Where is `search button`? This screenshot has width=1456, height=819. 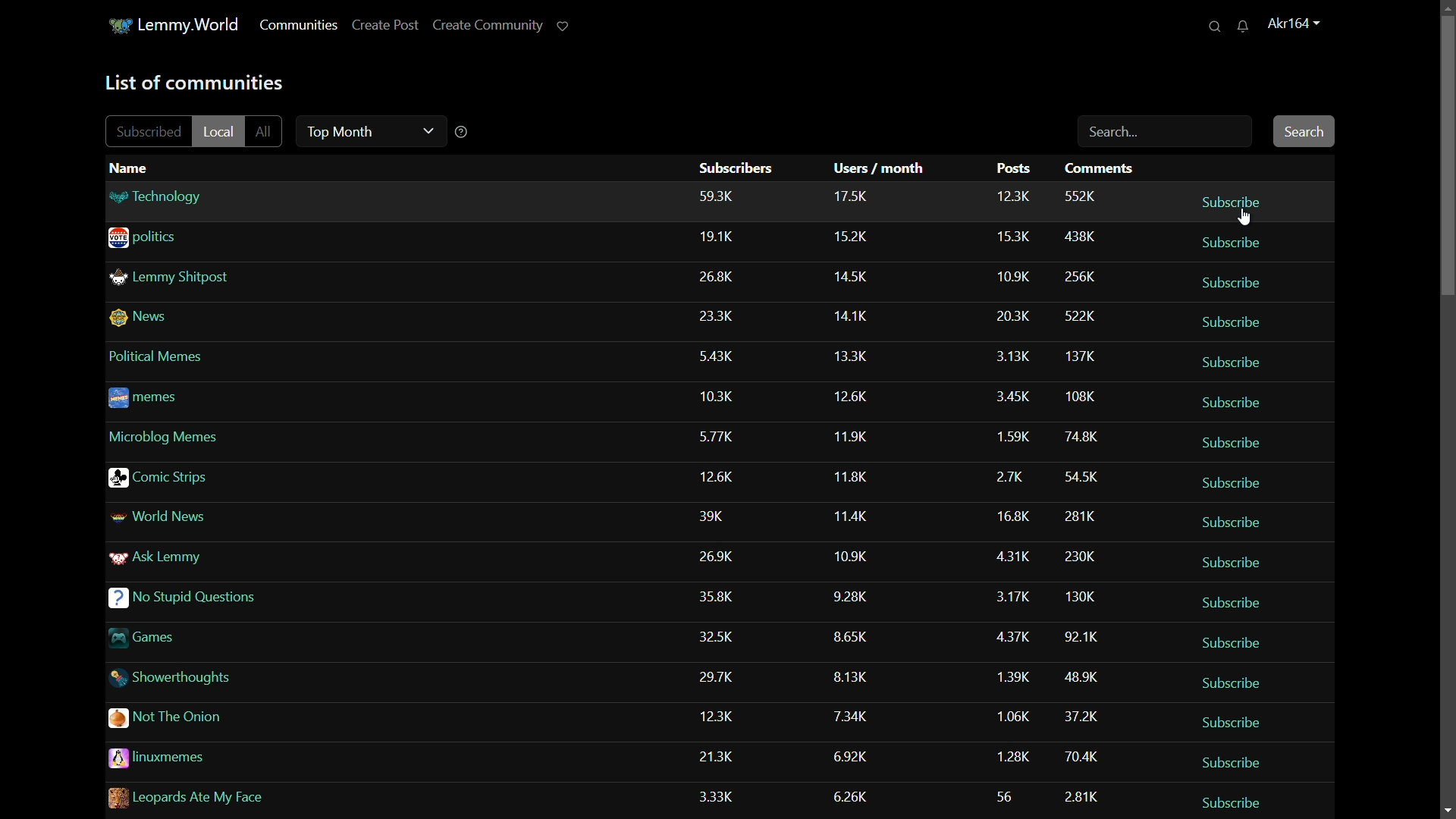 search button is located at coordinates (1305, 130).